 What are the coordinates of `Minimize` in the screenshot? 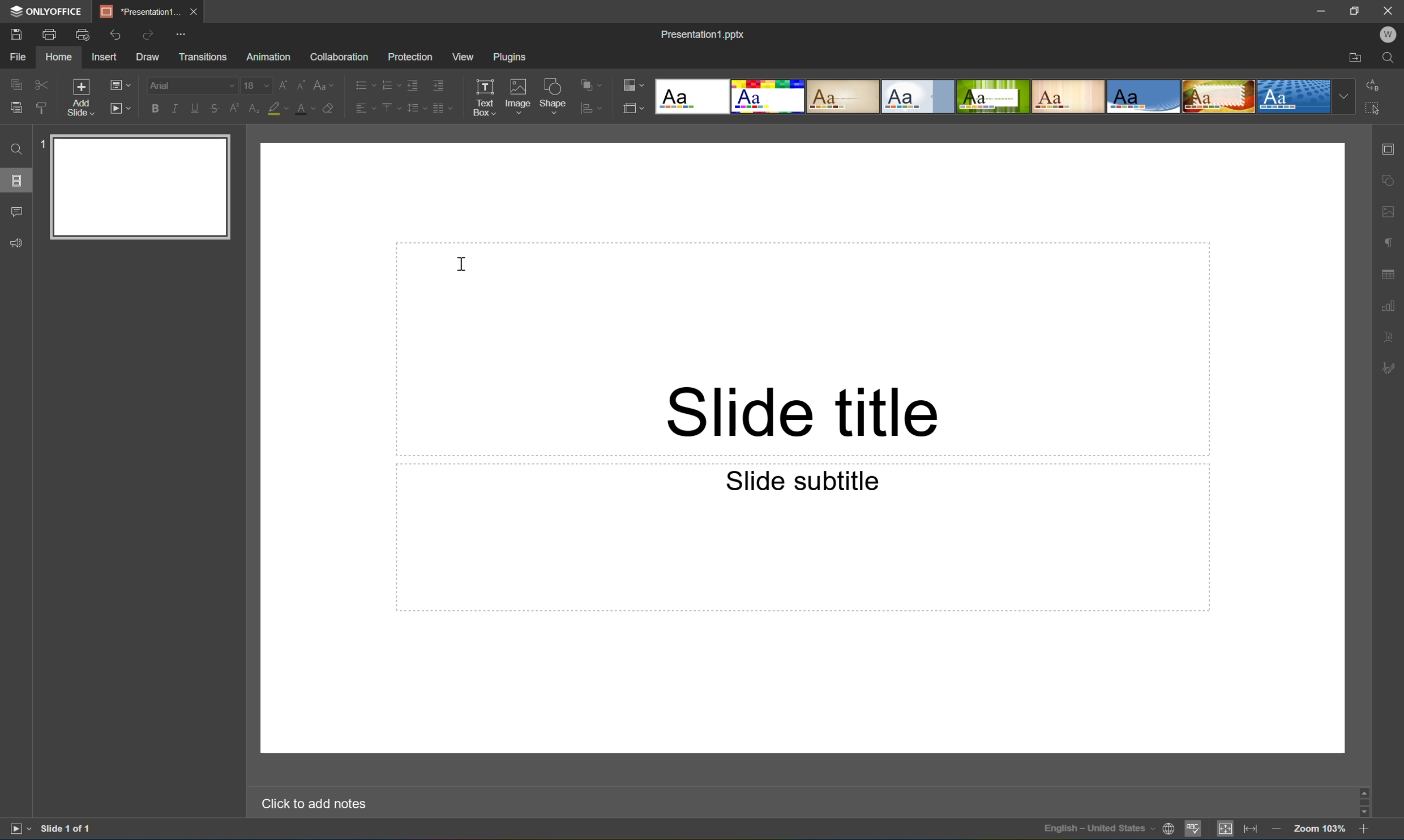 It's located at (1321, 10).